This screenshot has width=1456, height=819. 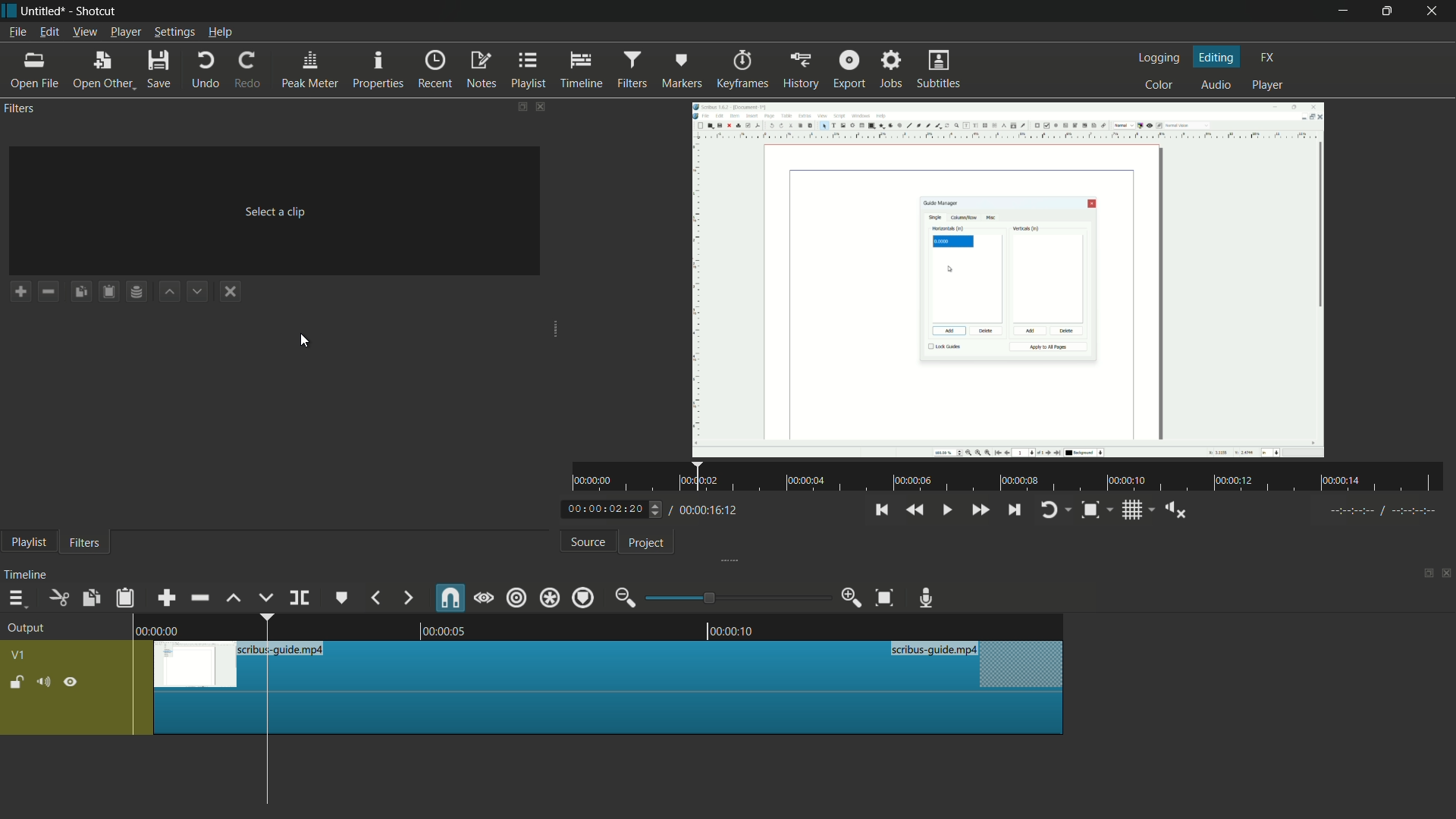 I want to click on lock, so click(x=16, y=683).